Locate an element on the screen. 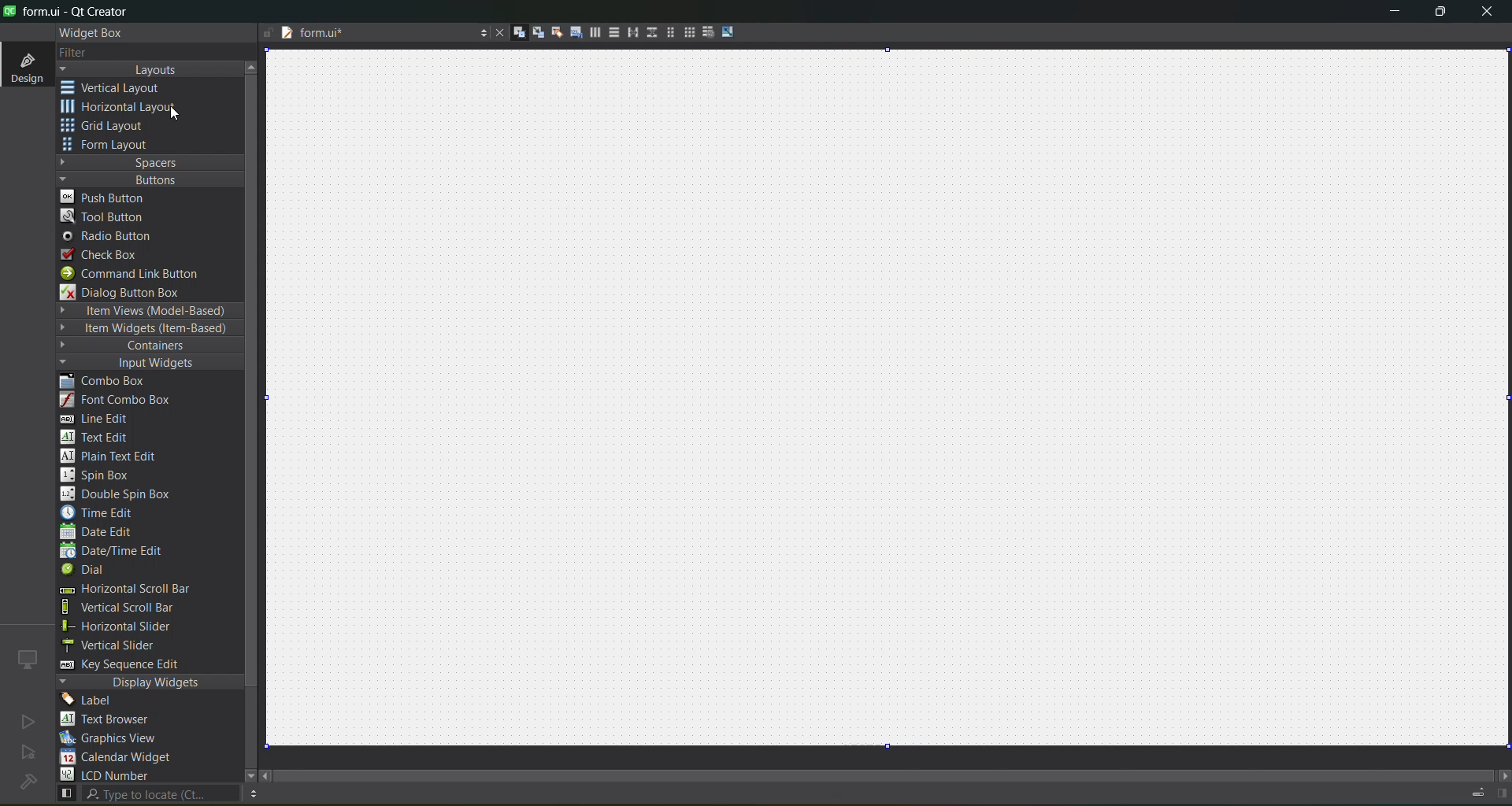 The width and height of the screenshot is (1512, 806). close document is located at coordinates (496, 34).